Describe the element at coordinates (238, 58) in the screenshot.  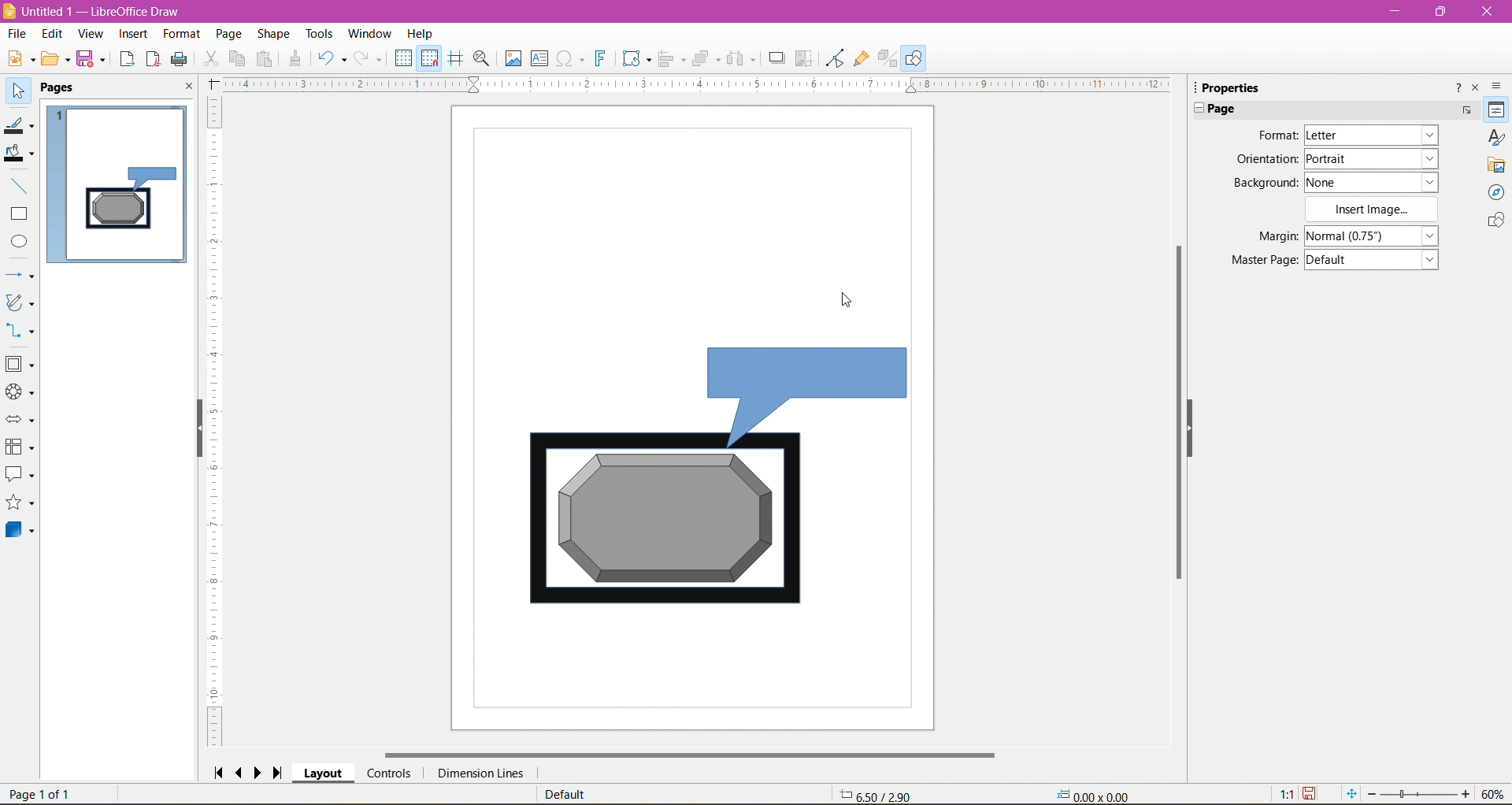
I see `Copy` at that location.